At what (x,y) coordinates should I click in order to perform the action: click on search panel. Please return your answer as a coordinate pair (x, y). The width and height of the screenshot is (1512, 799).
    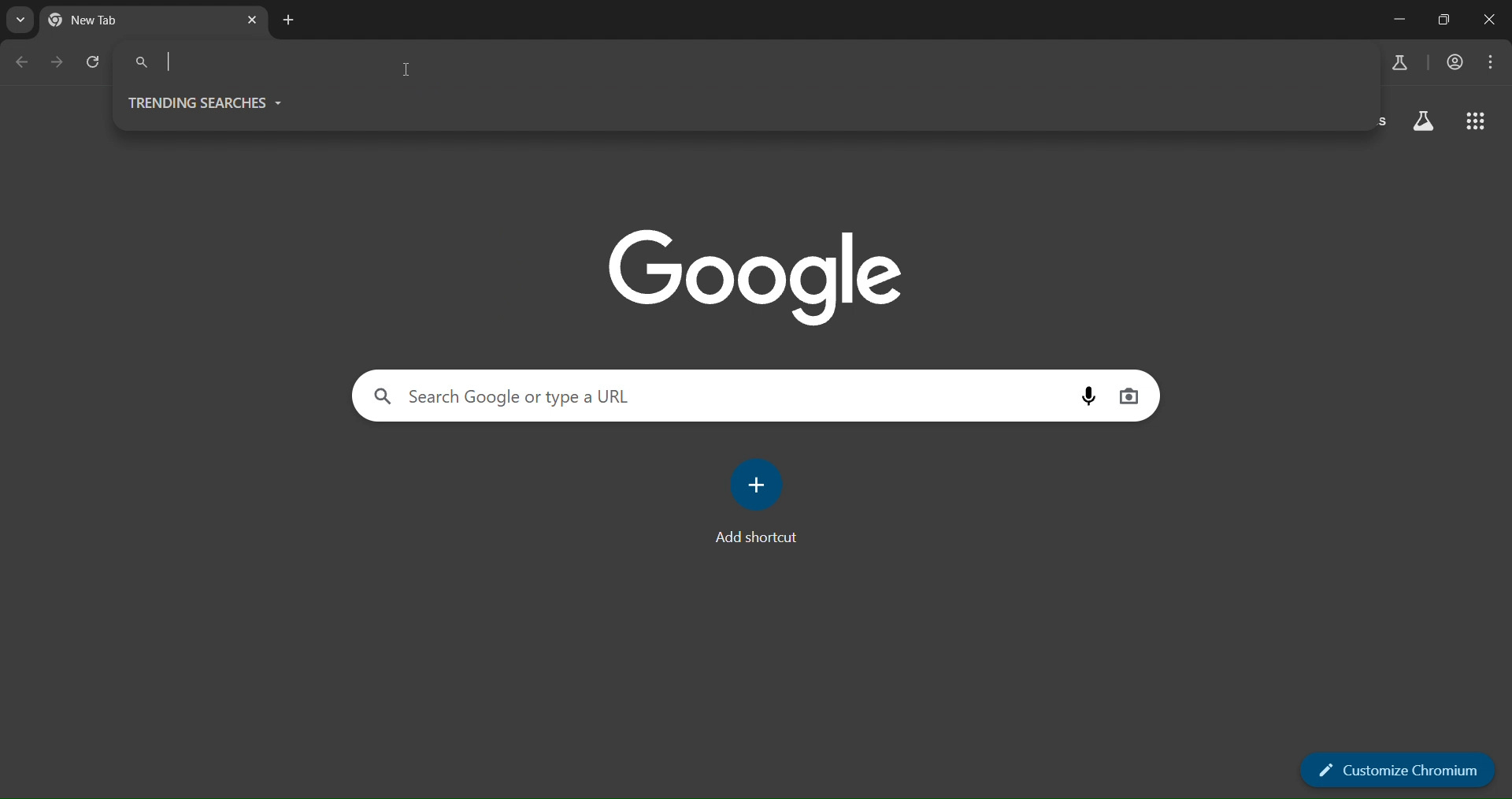
    Looking at the image, I should click on (528, 398).